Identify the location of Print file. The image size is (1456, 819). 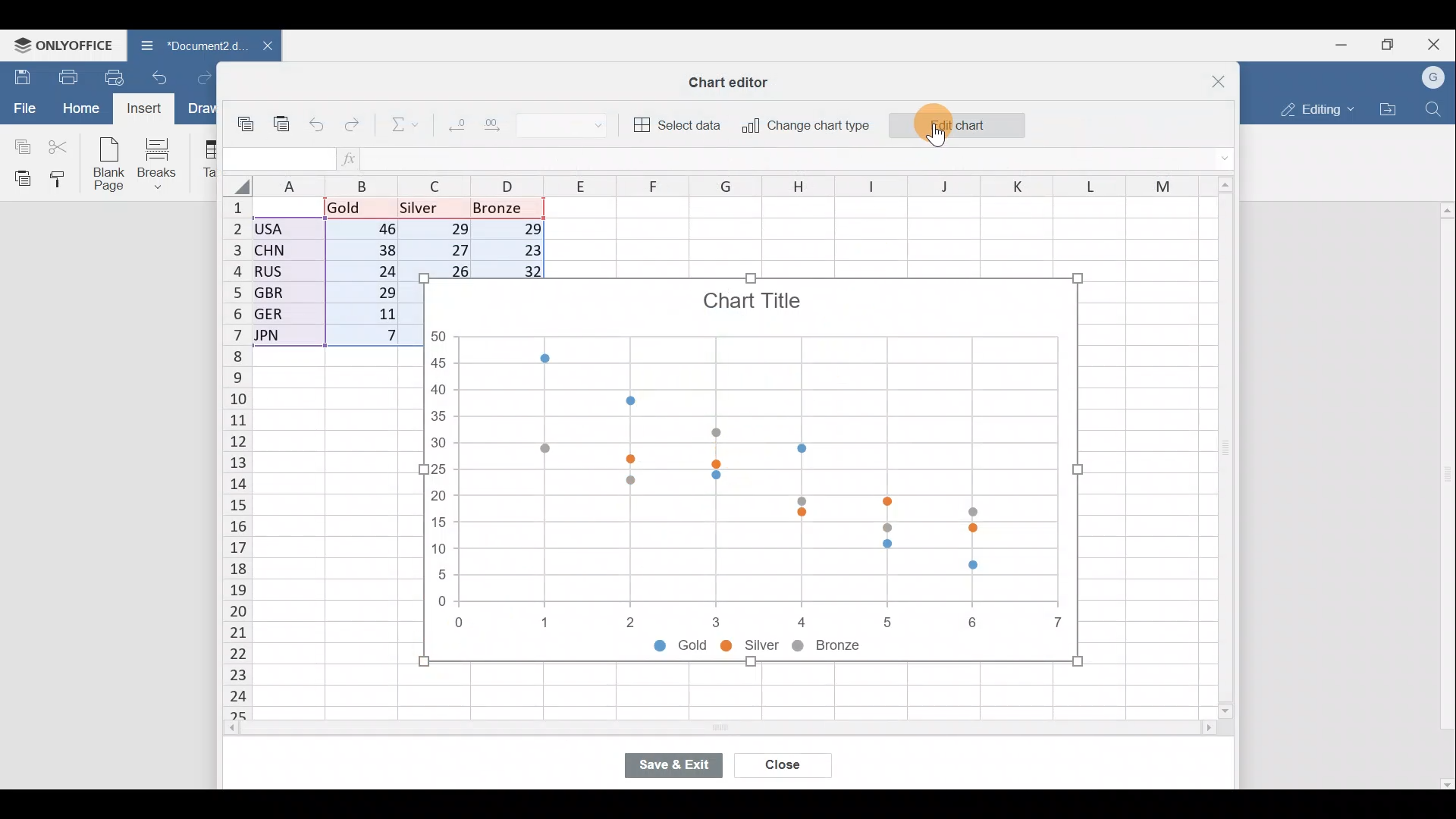
(64, 74).